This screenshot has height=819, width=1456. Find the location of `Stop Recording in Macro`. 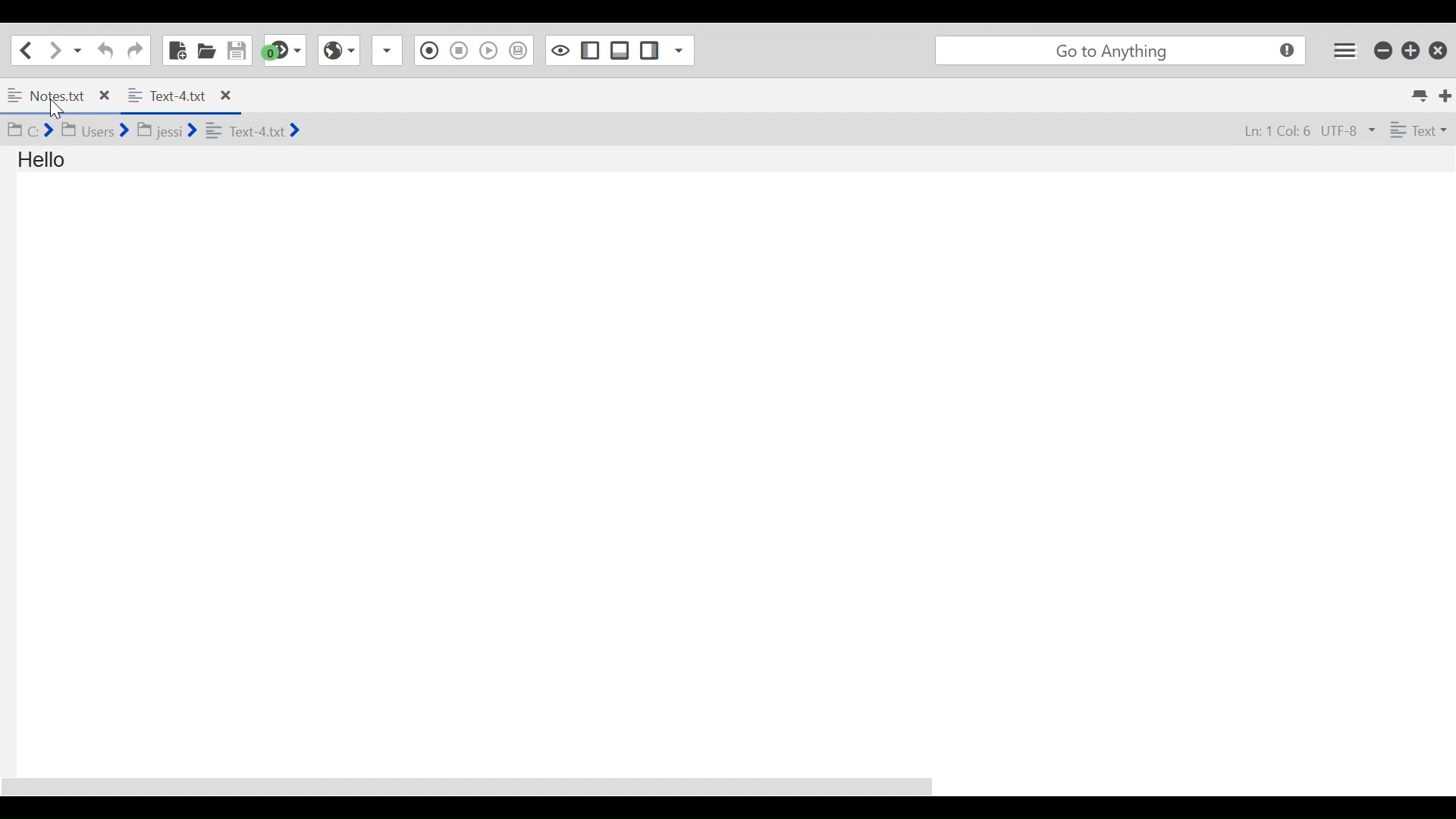

Stop Recording in Macro is located at coordinates (458, 52).